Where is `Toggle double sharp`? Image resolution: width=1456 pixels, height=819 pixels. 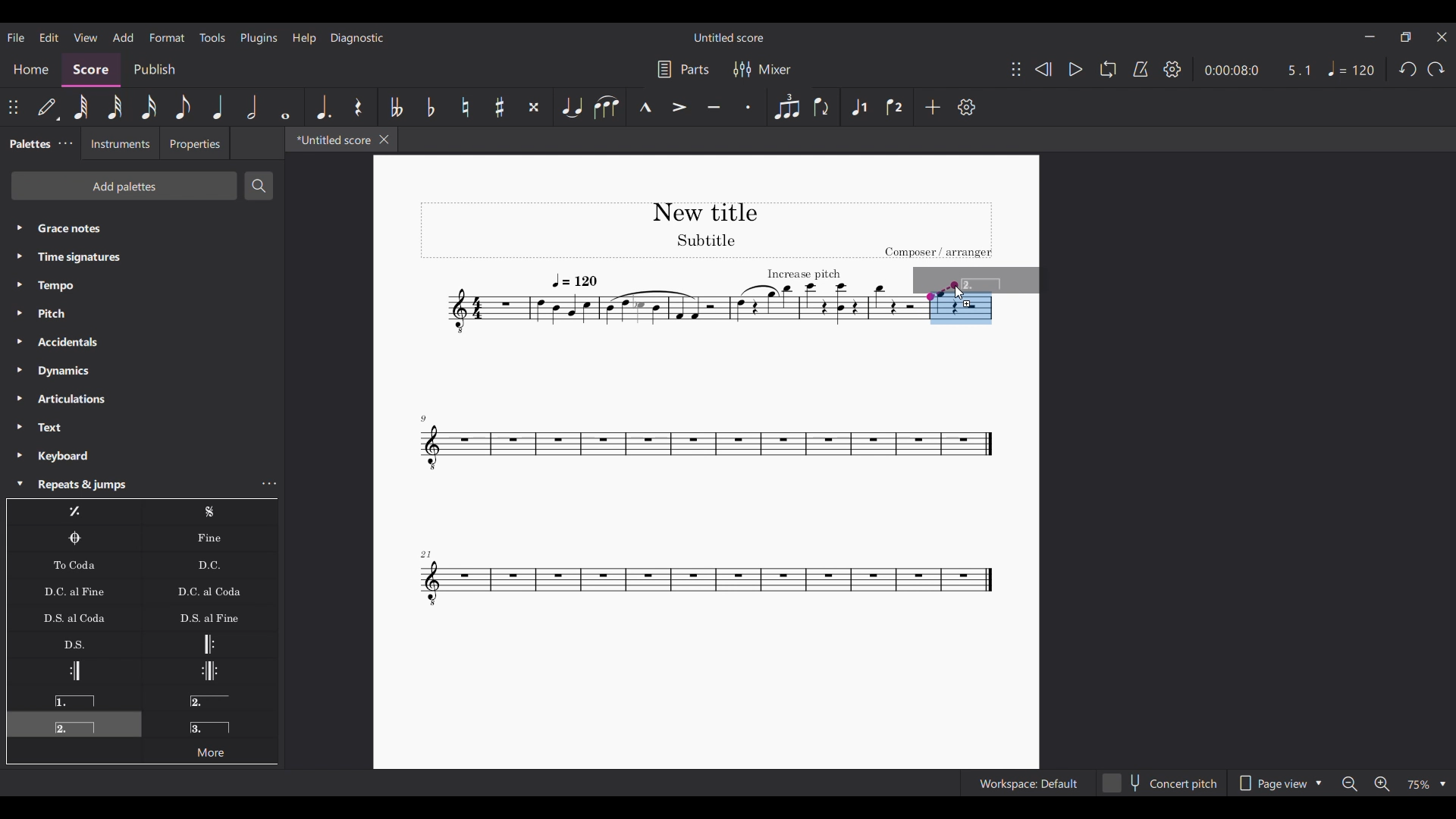
Toggle double sharp is located at coordinates (535, 107).